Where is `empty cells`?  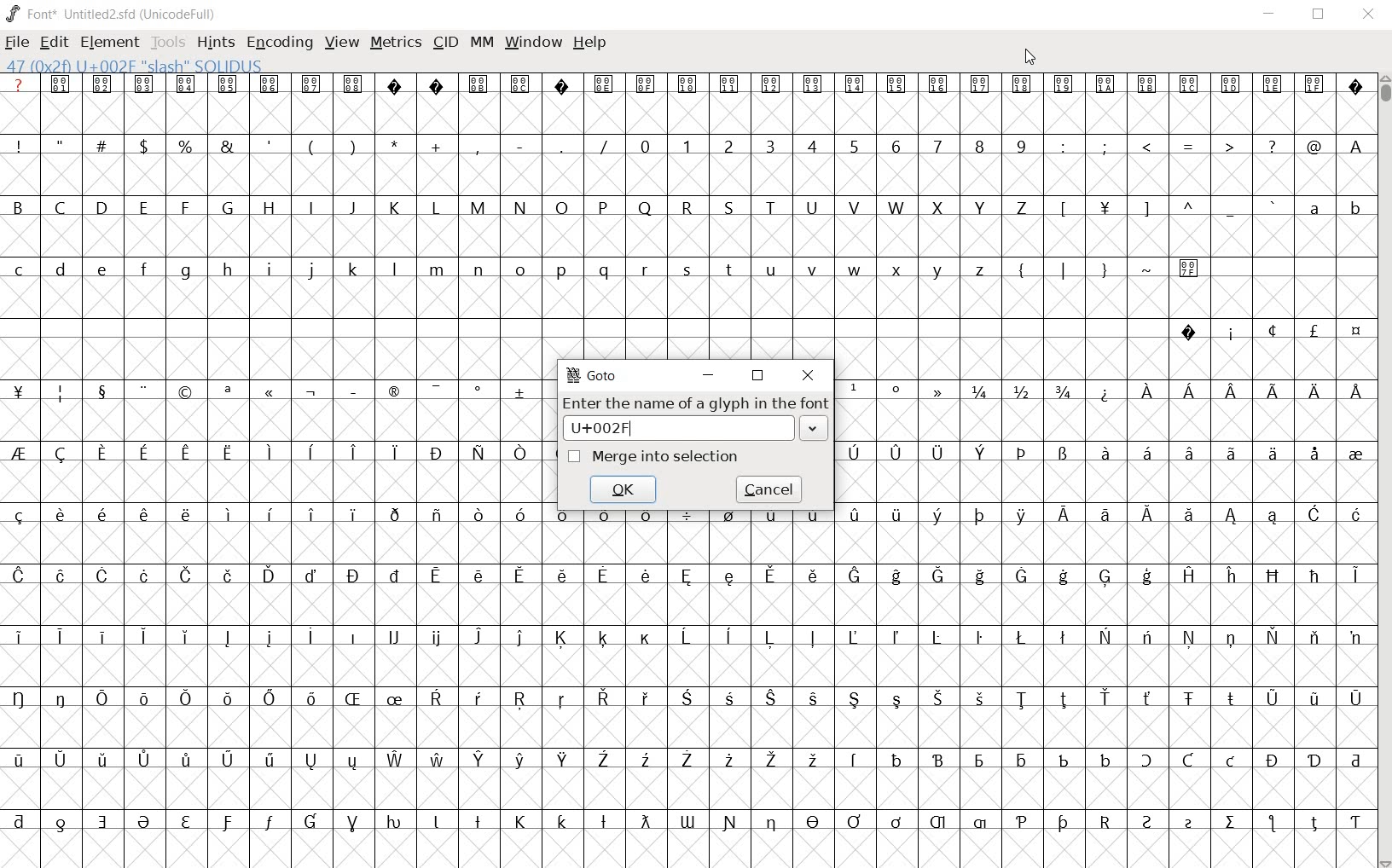
empty cells is located at coordinates (276, 356).